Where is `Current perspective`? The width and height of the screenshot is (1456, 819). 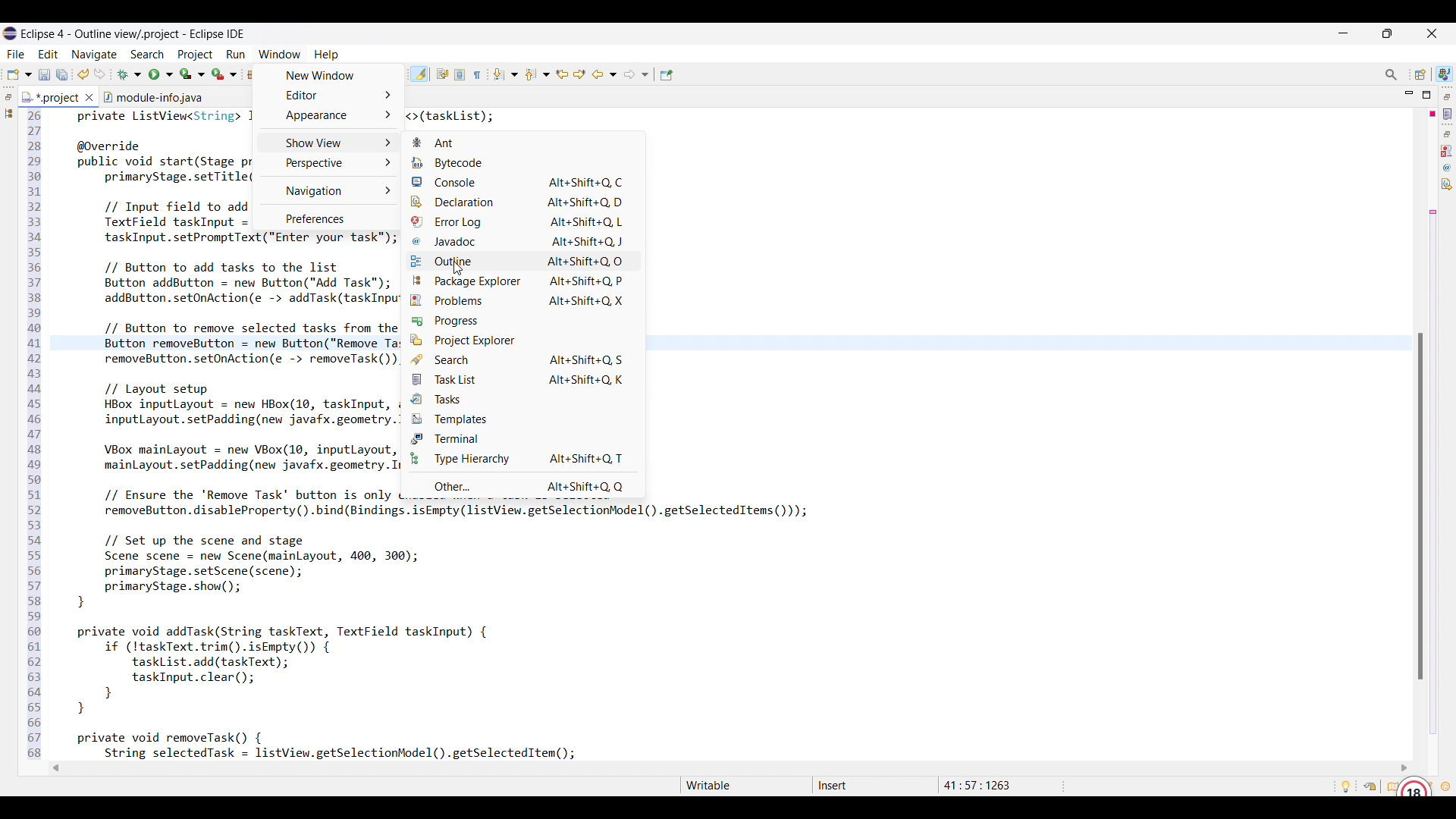
Current perspective is located at coordinates (1445, 74).